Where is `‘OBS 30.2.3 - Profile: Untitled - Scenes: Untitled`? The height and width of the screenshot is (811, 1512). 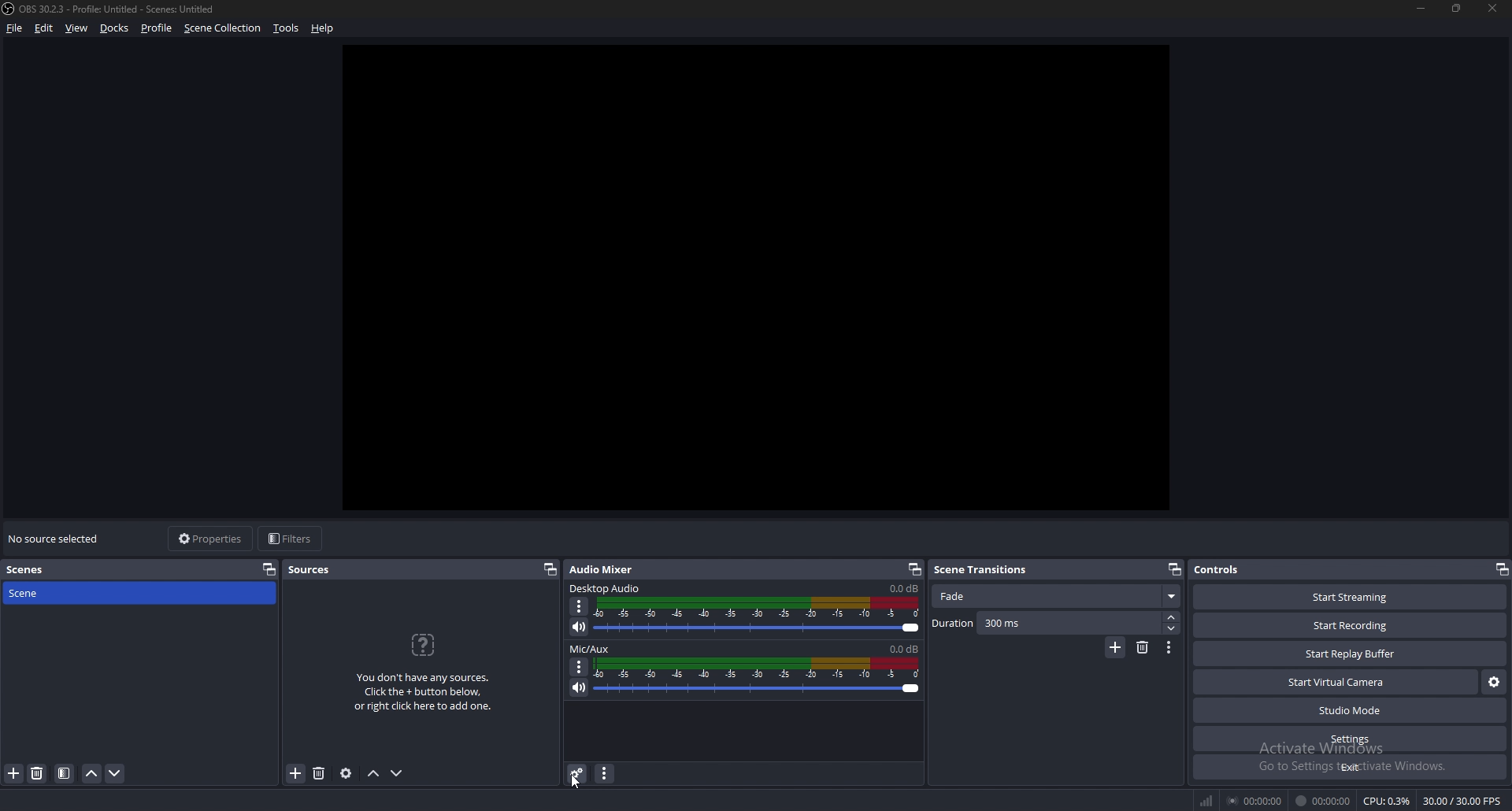
‘OBS 30.2.3 - Profile: Untitled - Scenes: Untitled is located at coordinates (121, 9).